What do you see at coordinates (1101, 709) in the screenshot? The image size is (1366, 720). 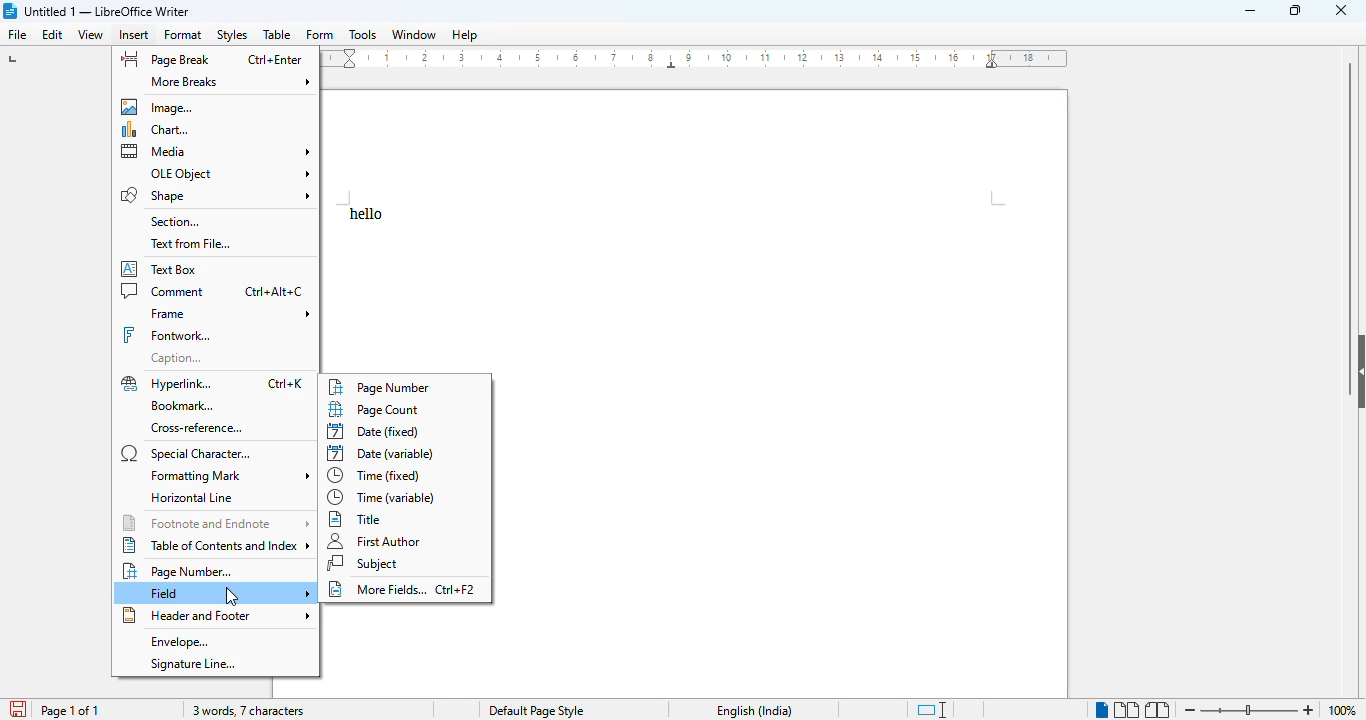 I see `single-page view` at bounding box center [1101, 709].